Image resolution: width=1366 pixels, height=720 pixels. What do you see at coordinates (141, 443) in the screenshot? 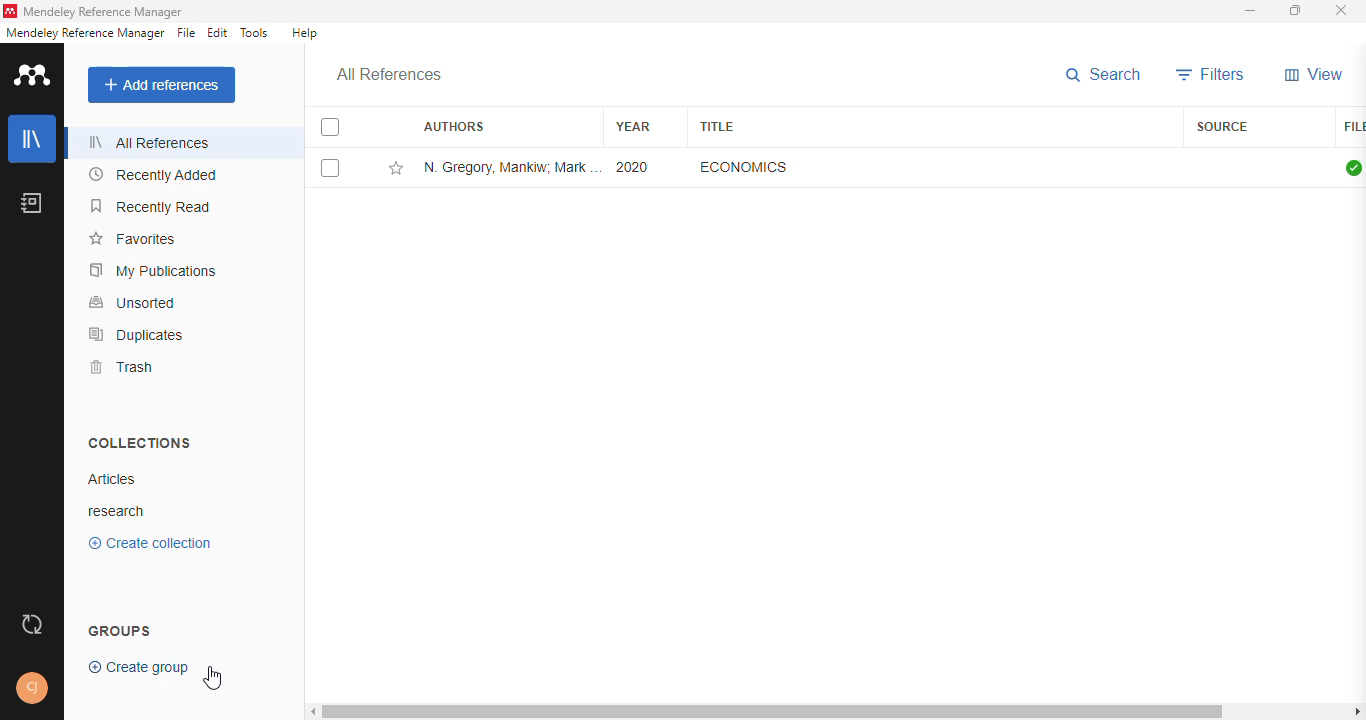
I see `collections` at bounding box center [141, 443].